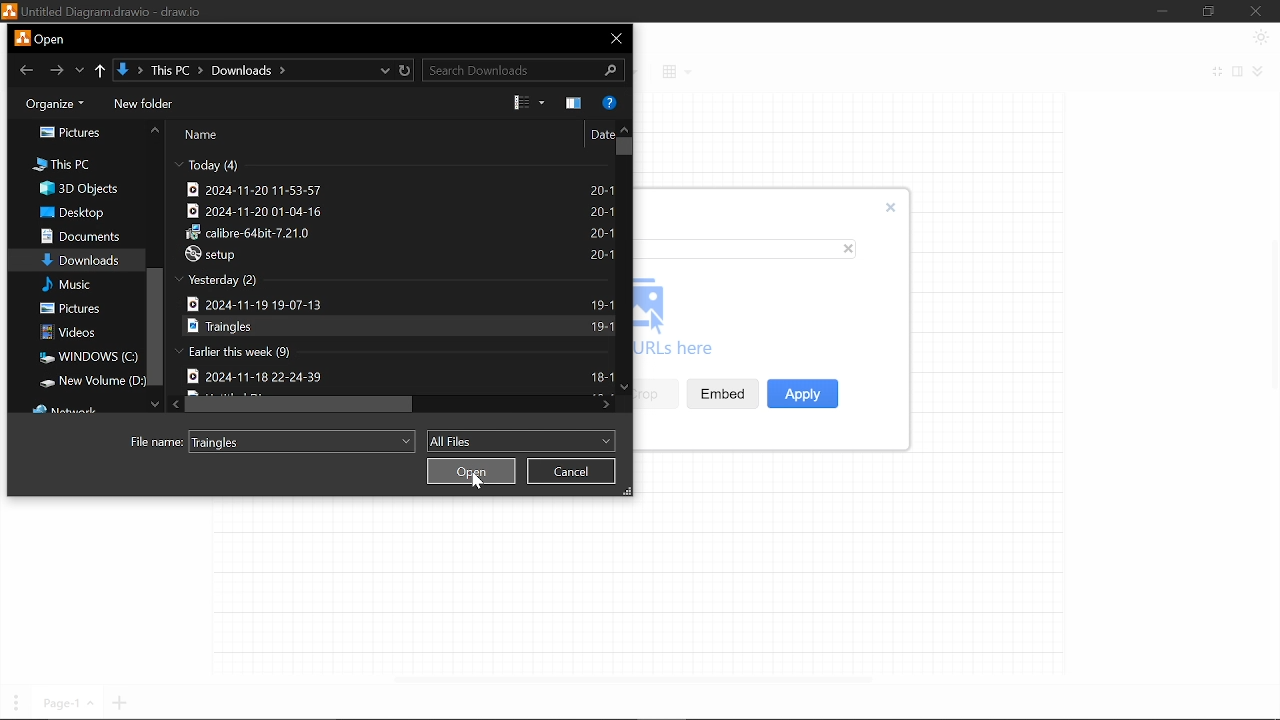 The width and height of the screenshot is (1280, 720). Describe the element at coordinates (154, 327) in the screenshot. I see `Vertical scrollbar in all files` at that location.